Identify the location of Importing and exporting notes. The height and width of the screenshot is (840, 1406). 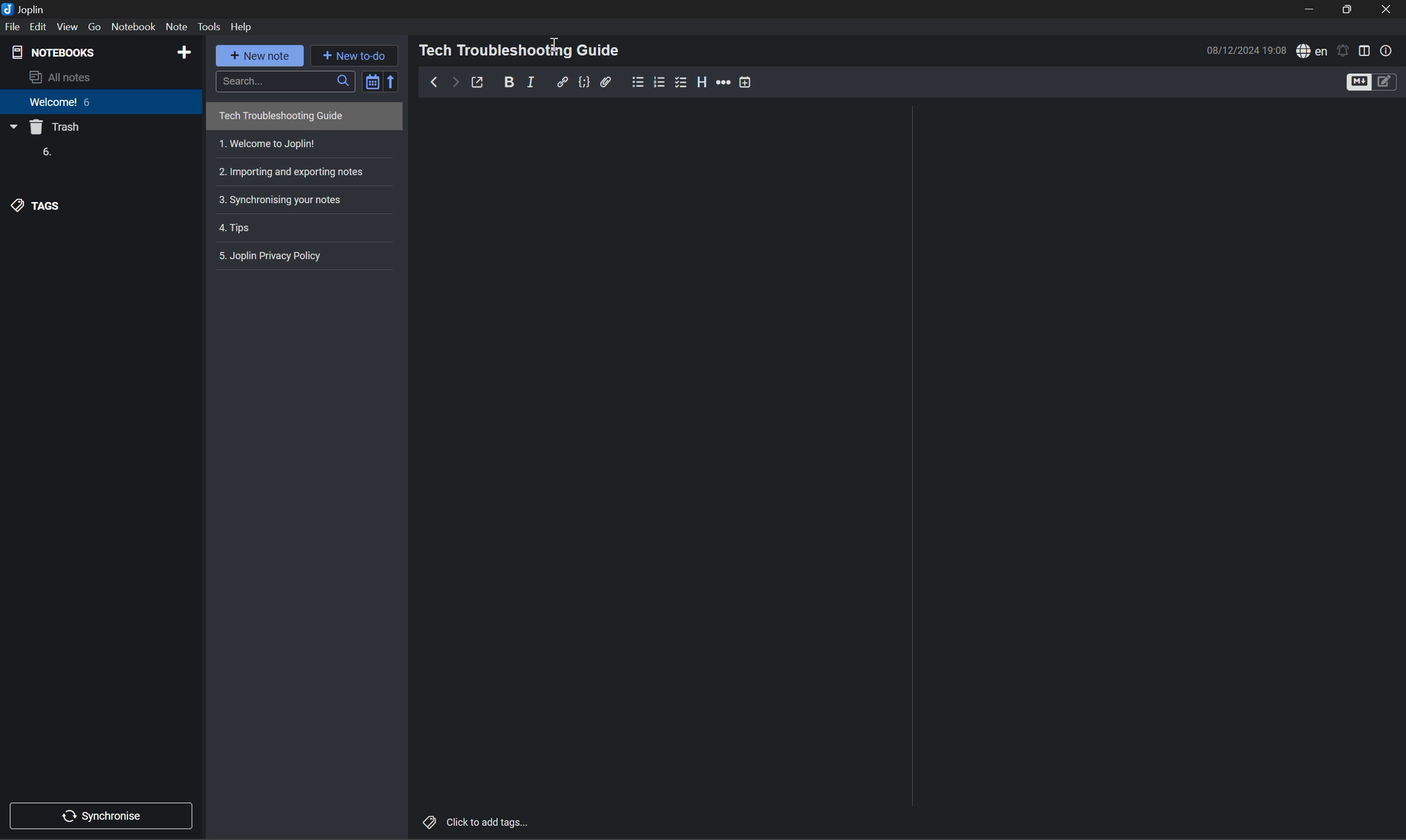
(296, 171).